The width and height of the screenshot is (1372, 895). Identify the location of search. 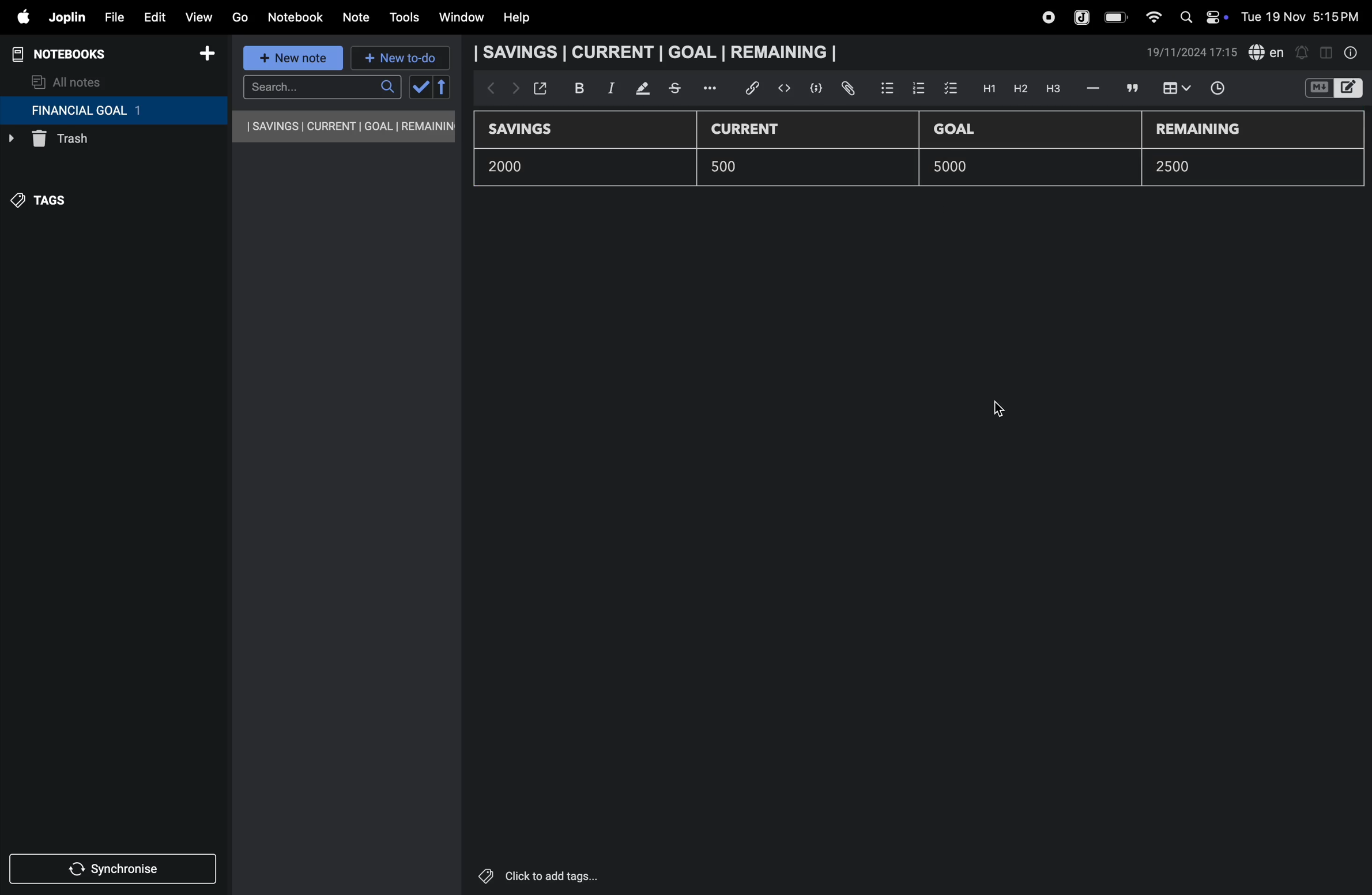
(322, 87).